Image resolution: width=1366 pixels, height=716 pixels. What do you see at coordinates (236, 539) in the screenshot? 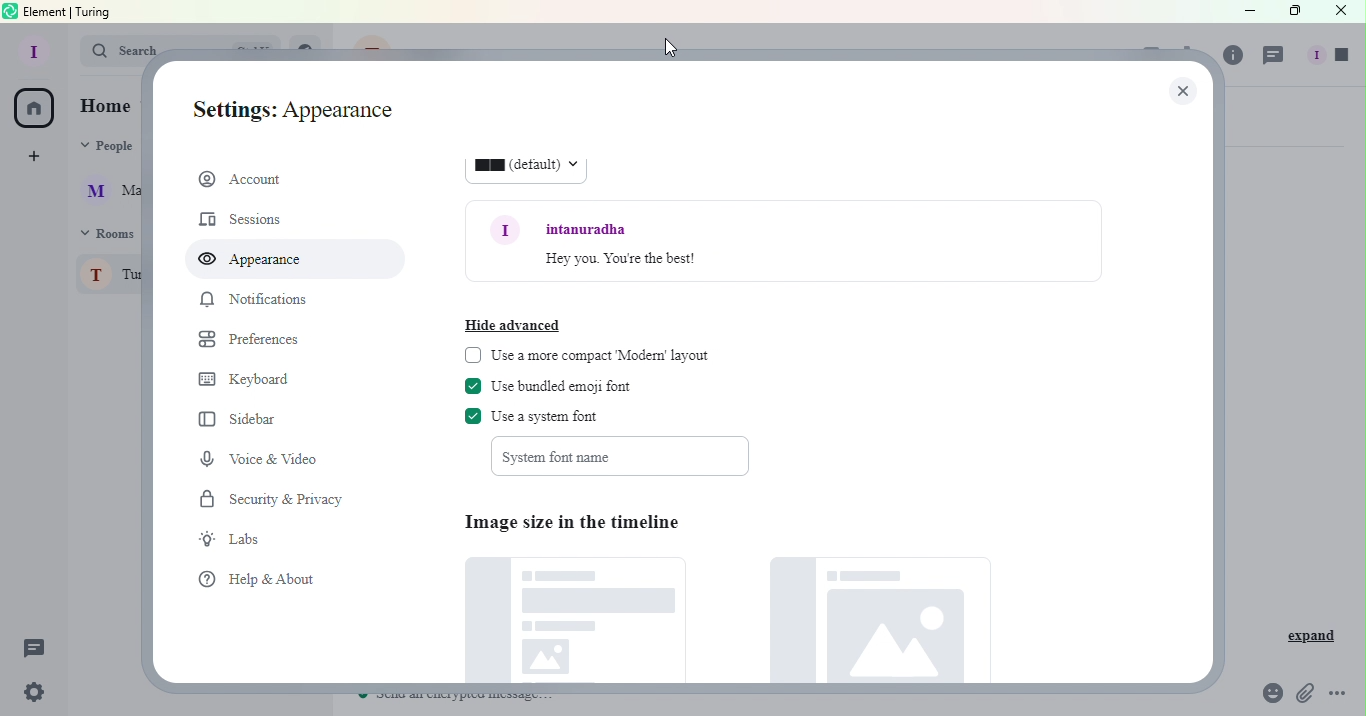
I see `Labs` at bounding box center [236, 539].